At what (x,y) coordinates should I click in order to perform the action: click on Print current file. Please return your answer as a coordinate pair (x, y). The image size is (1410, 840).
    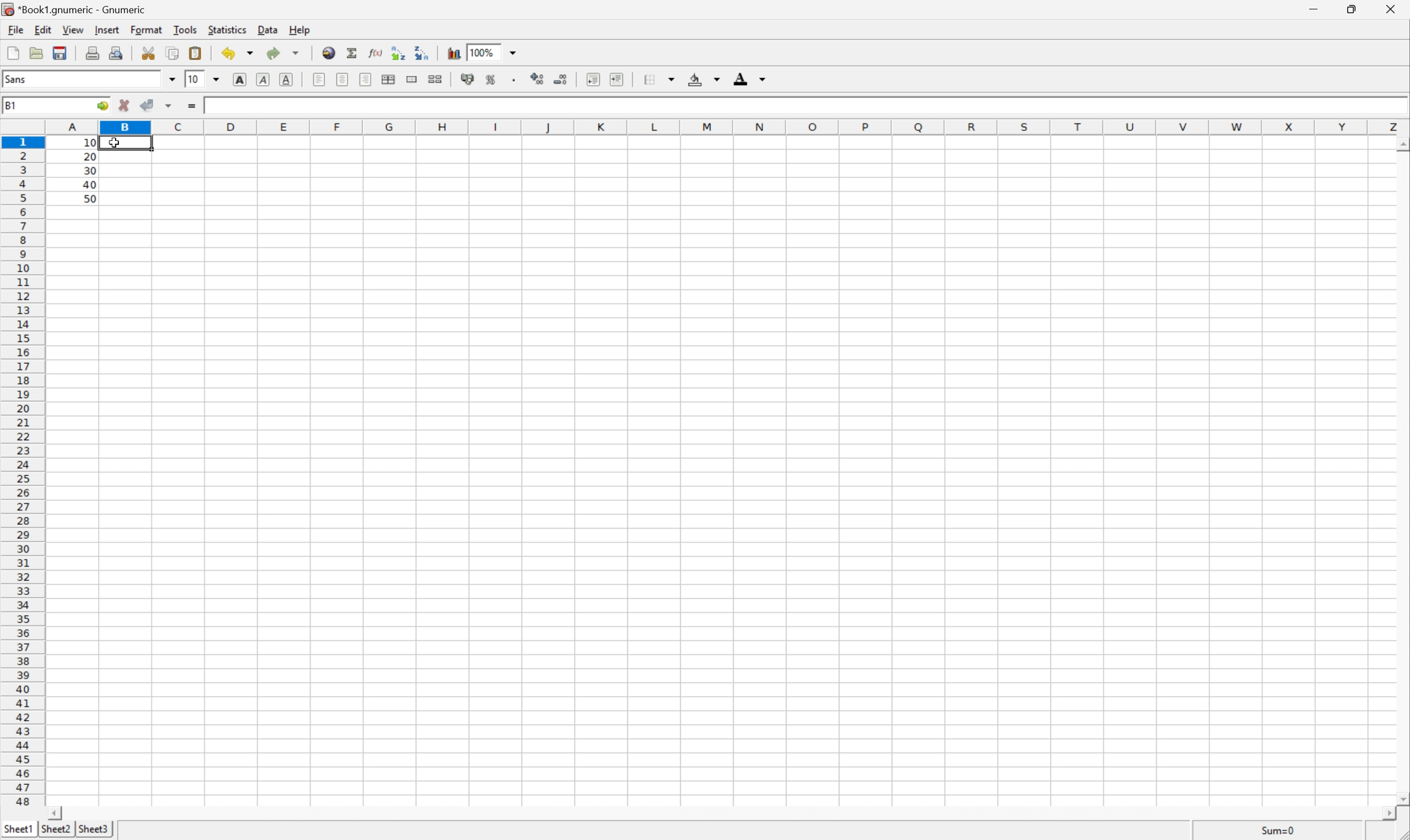
    Looking at the image, I should click on (93, 53).